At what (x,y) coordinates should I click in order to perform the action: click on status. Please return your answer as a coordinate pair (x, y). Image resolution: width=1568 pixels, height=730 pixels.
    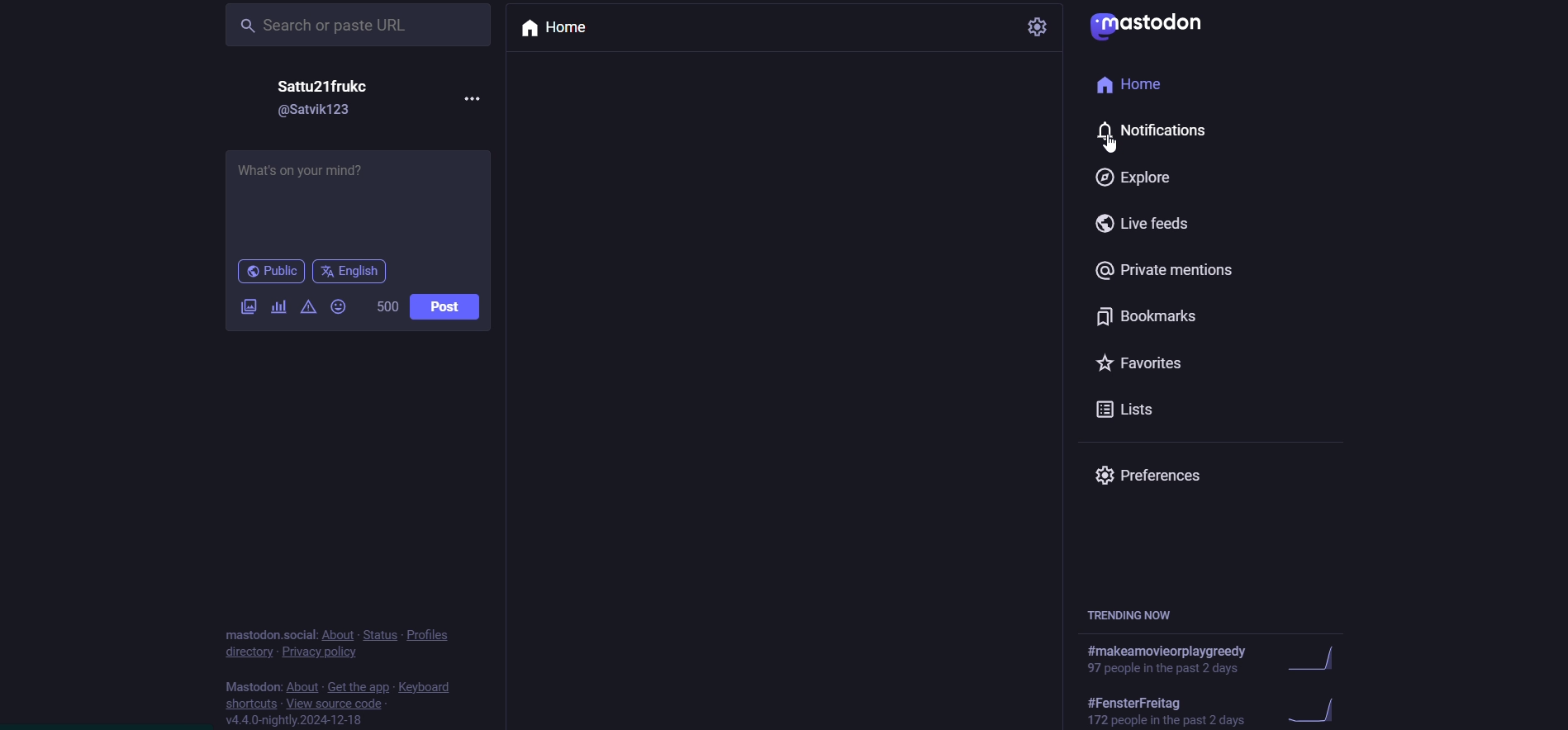
    Looking at the image, I should click on (382, 636).